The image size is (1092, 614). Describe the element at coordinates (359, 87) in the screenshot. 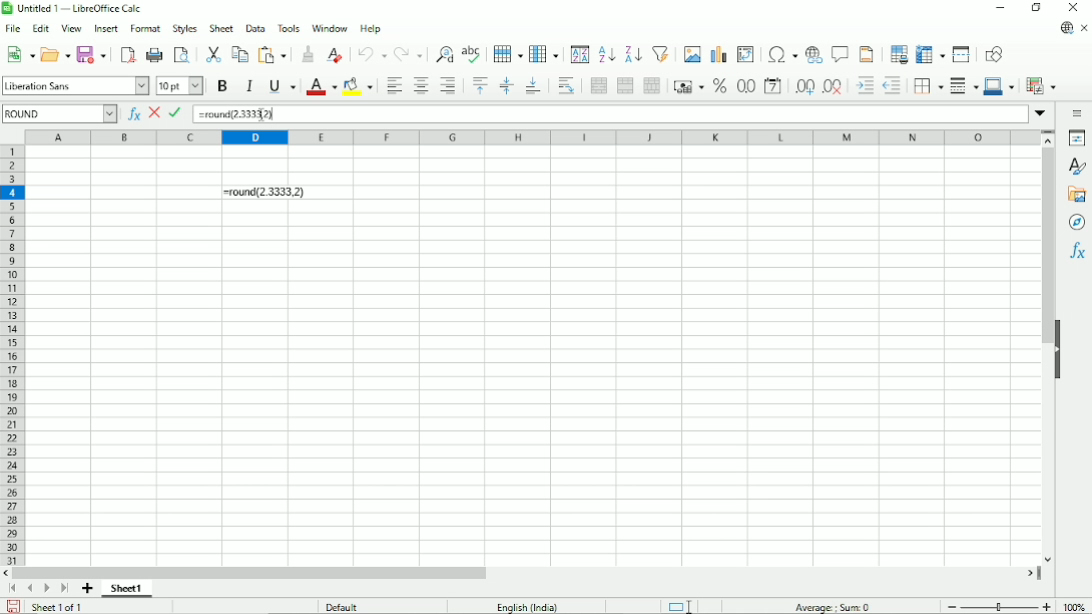

I see `Background color` at that location.